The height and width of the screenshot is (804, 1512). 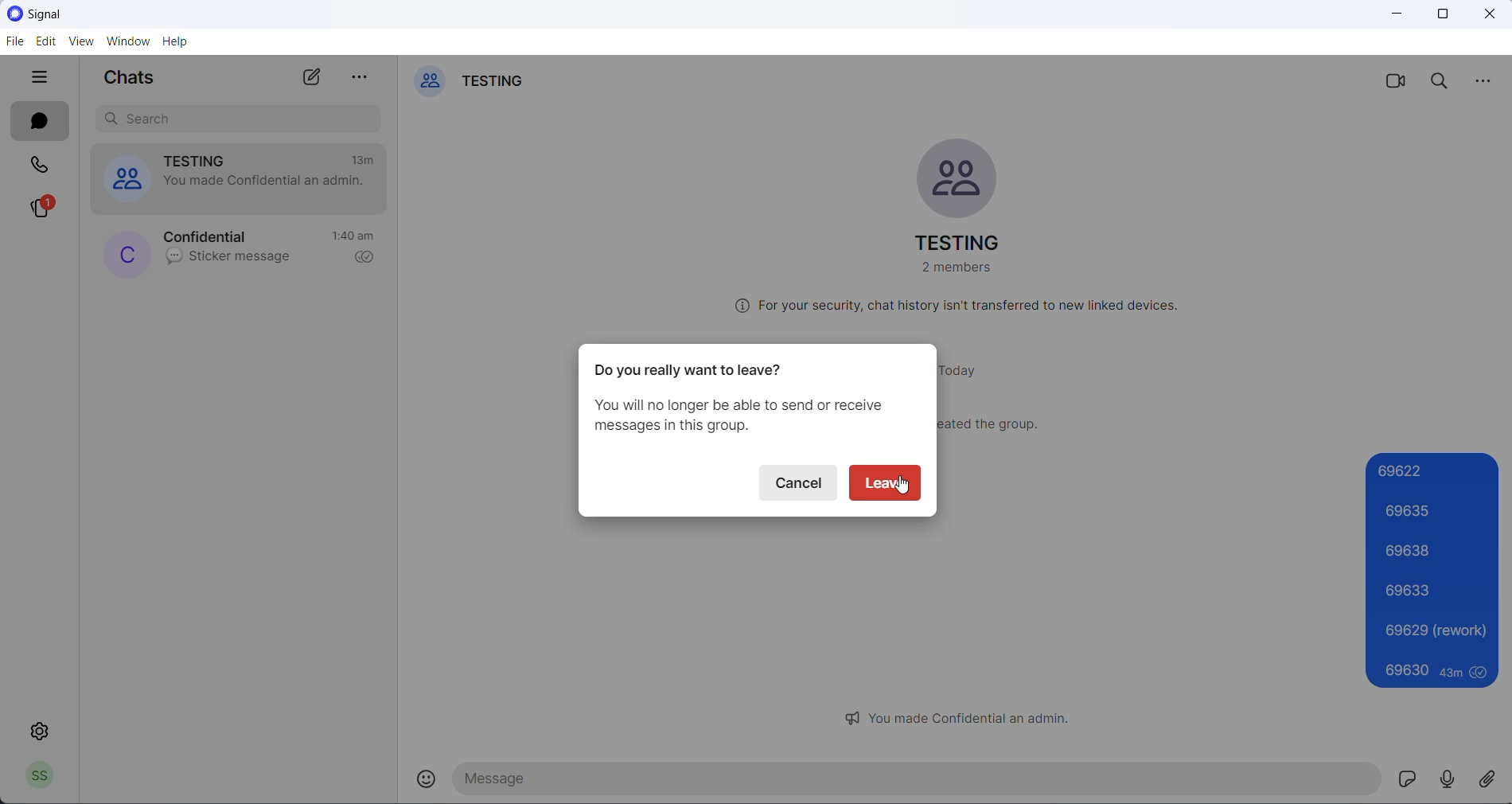 What do you see at coordinates (1393, 84) in the screenshot?
I see `video call` at bounding box center [1393, 84].